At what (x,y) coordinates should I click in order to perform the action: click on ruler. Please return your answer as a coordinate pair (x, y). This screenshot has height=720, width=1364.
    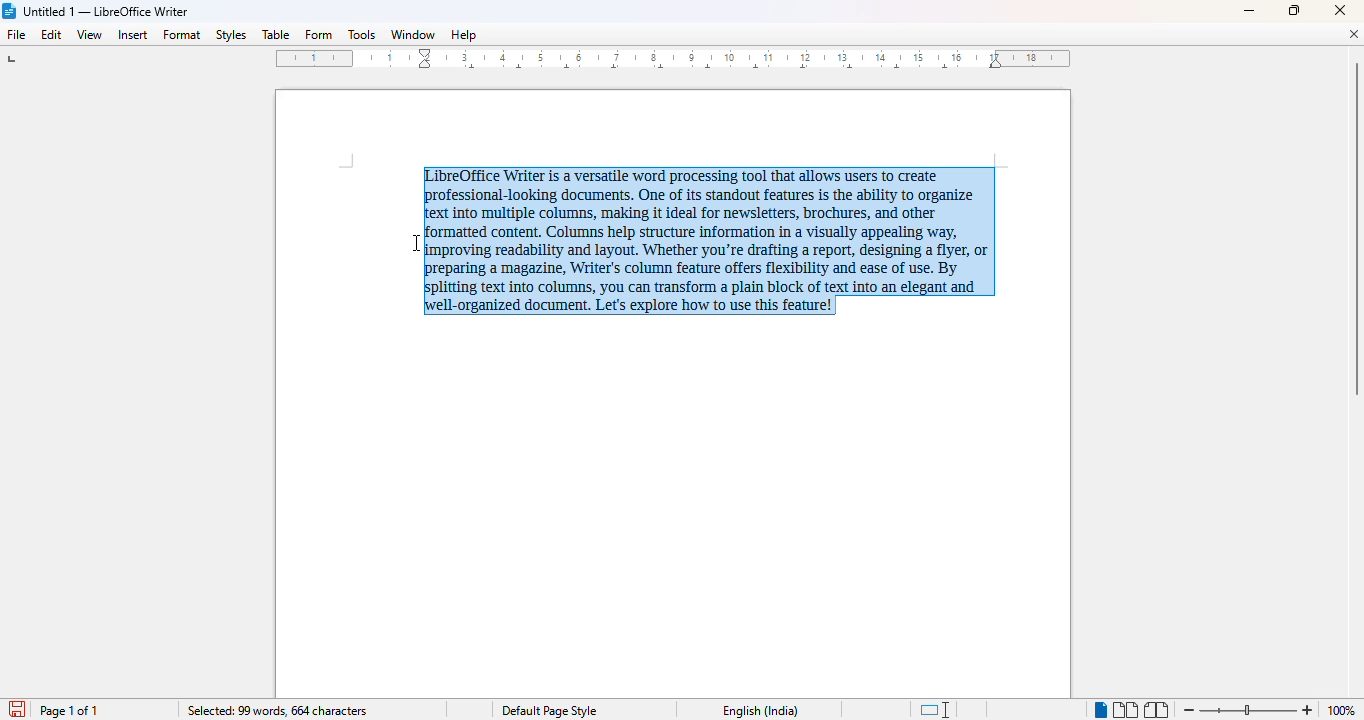
    Looking at the image, I should click on (674, 58).